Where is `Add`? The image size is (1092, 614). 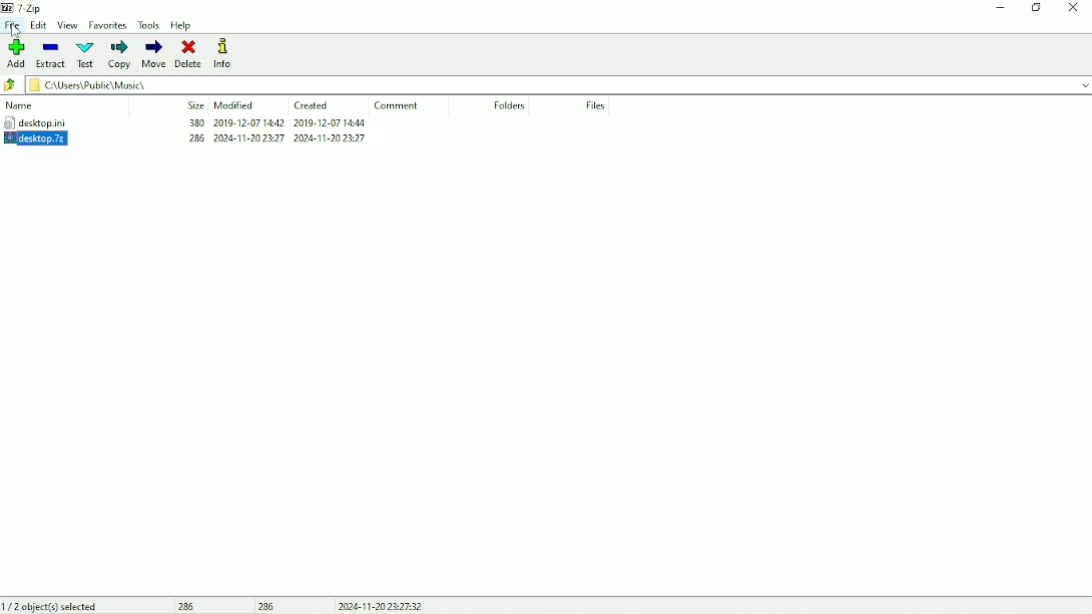 Add is located at coordinates (17, 53).